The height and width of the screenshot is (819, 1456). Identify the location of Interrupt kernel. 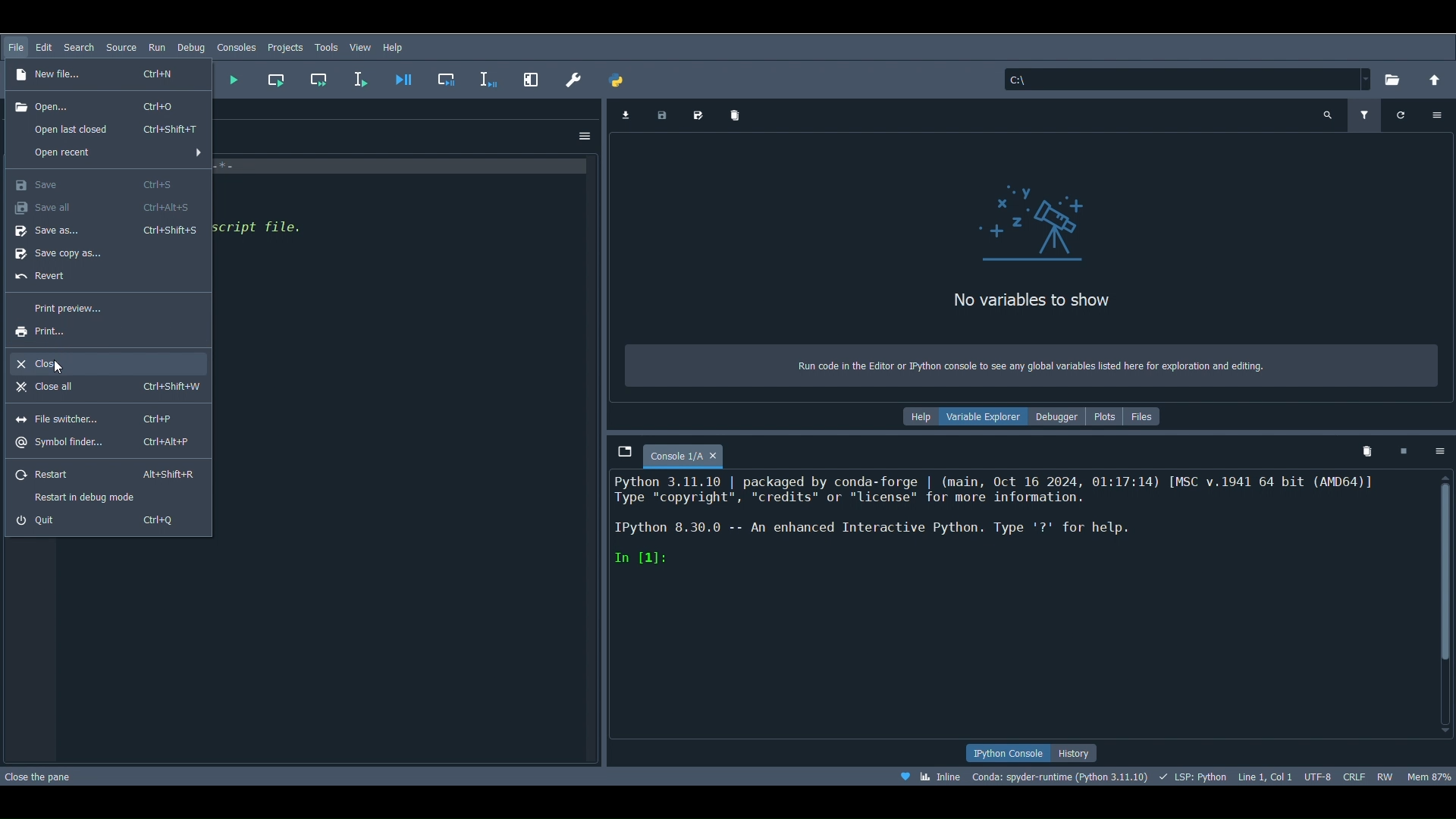
(1404, 450).